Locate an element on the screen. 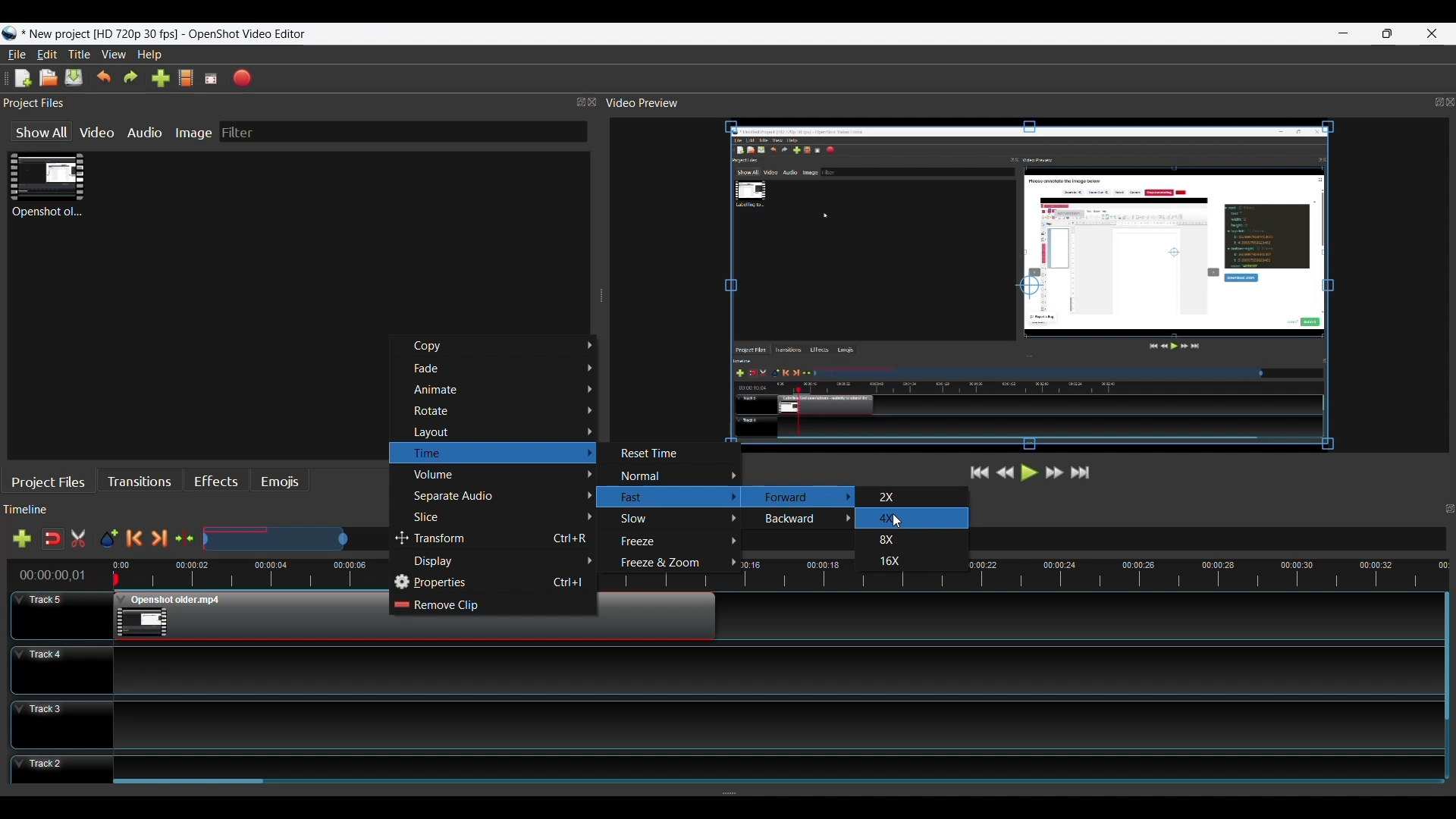  Volume is located at coordinates (501, 475).